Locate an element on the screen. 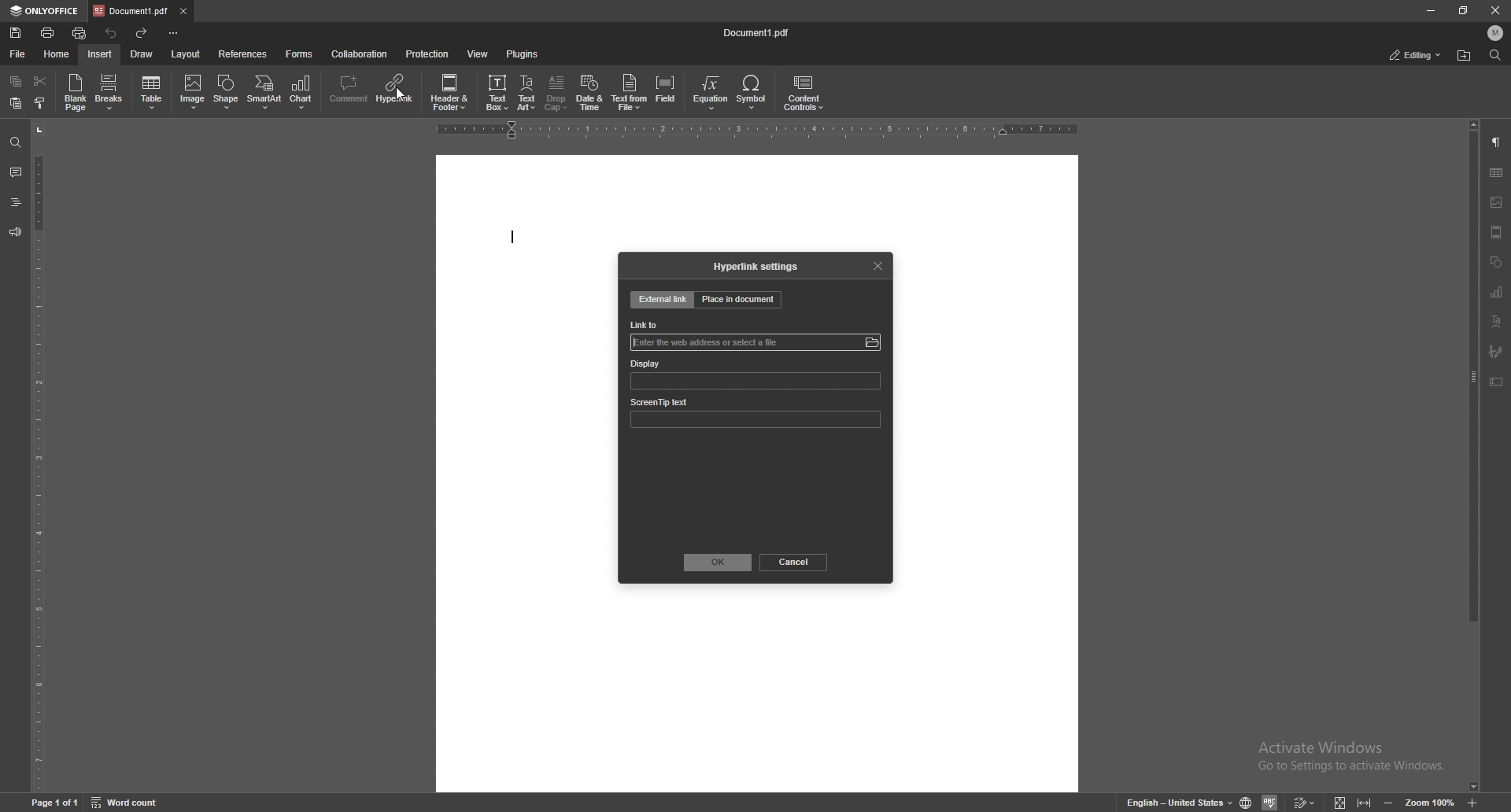  cancel is located at coordinates (796, 562).